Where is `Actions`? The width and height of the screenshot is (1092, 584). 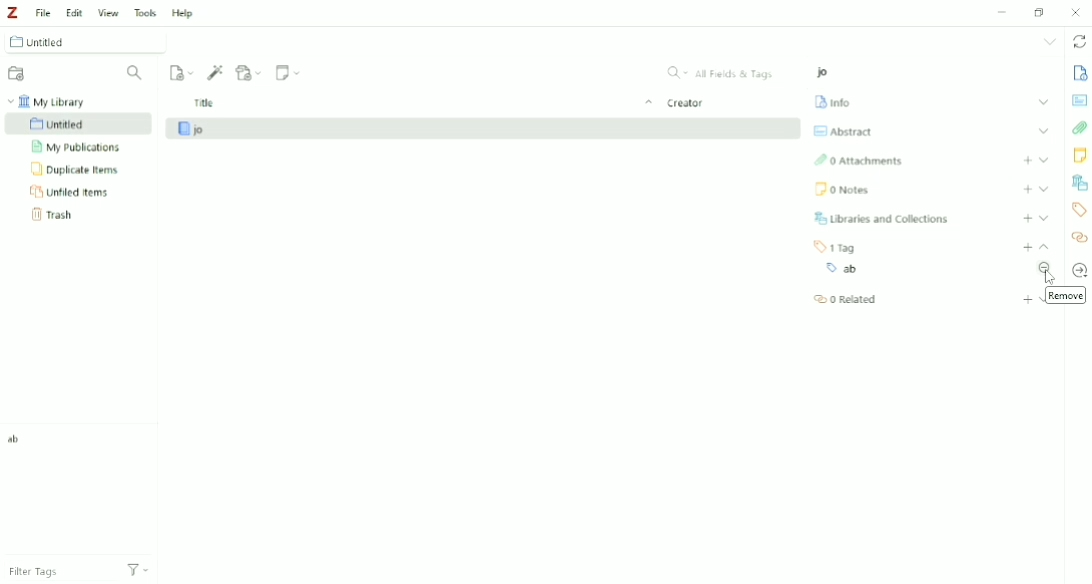
Actions is located at coordinates (137, 572).